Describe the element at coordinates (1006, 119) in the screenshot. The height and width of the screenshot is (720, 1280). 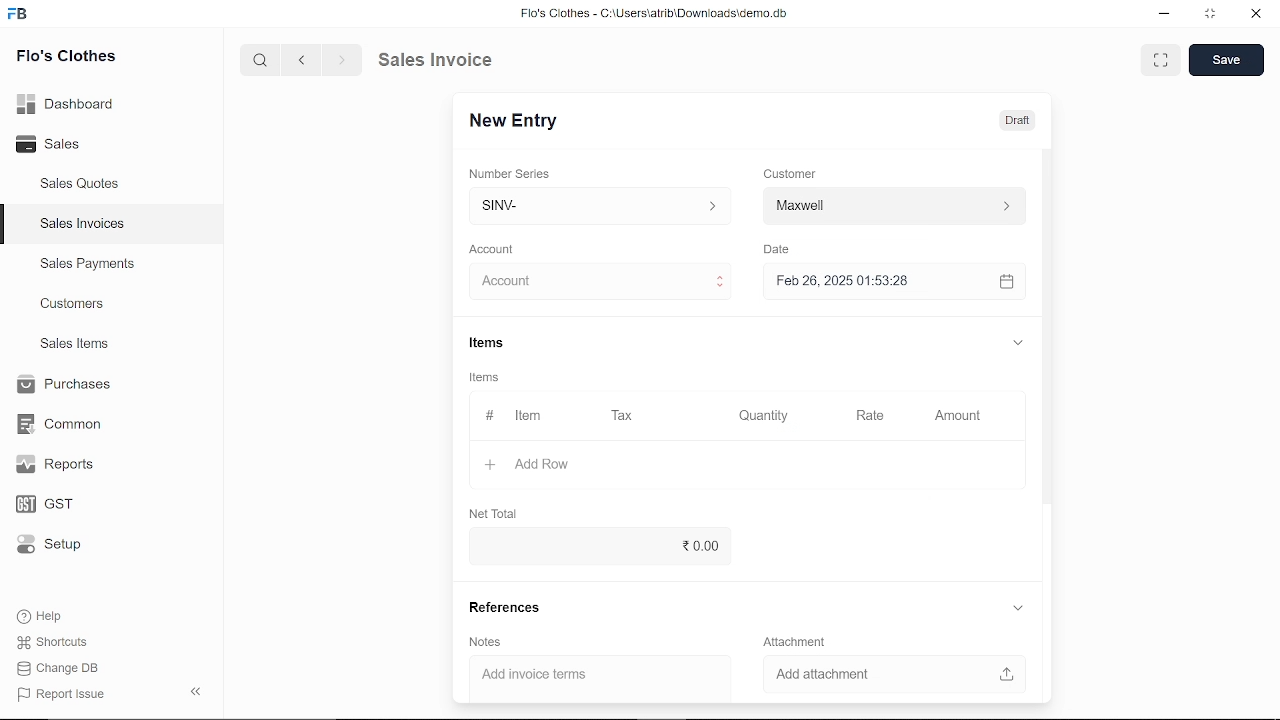
I see `Draft` at that location.